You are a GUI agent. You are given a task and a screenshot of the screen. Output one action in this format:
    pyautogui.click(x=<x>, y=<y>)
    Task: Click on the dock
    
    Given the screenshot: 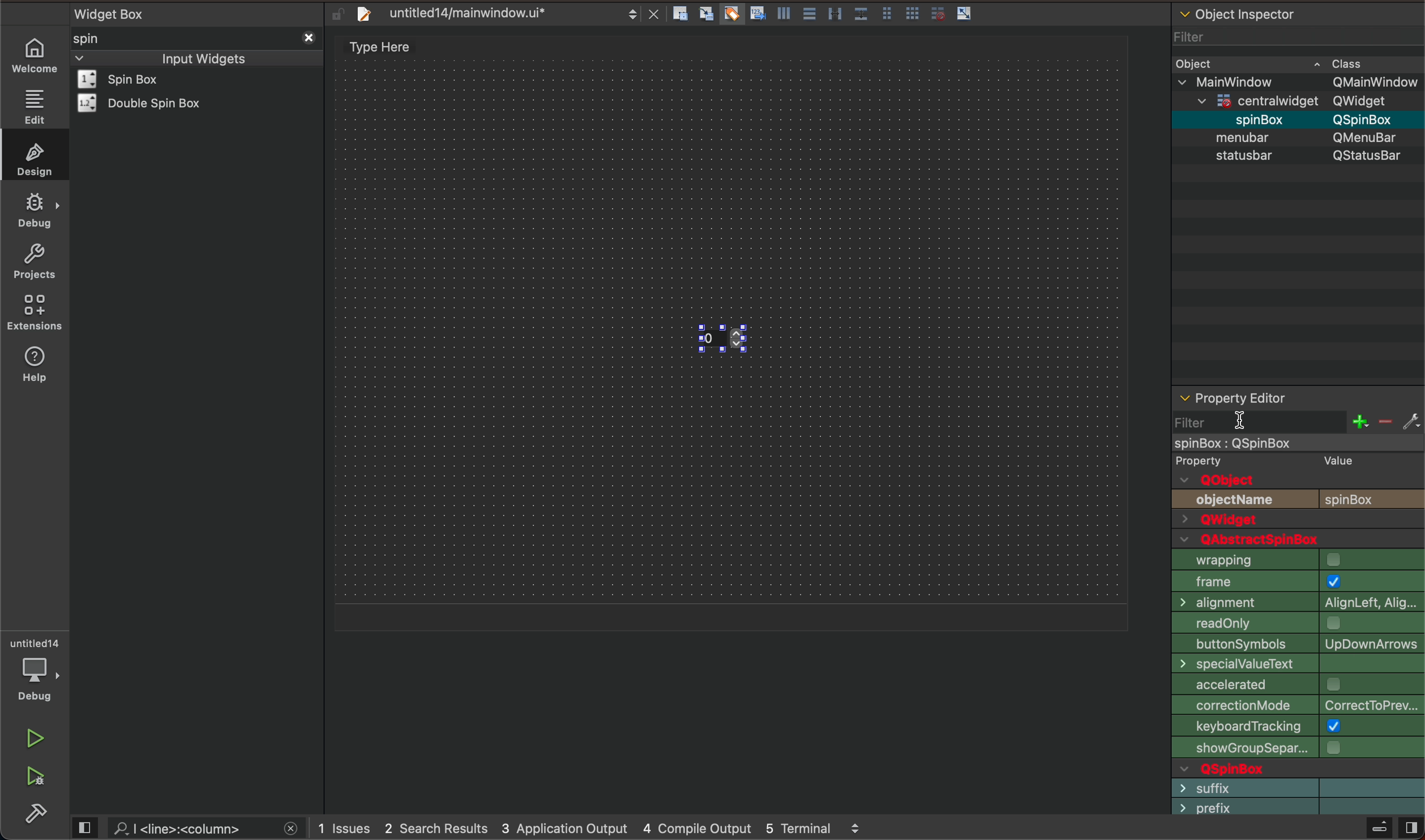 What is the action you would take?
    pyautogui.click(x=1296, y=663)
    